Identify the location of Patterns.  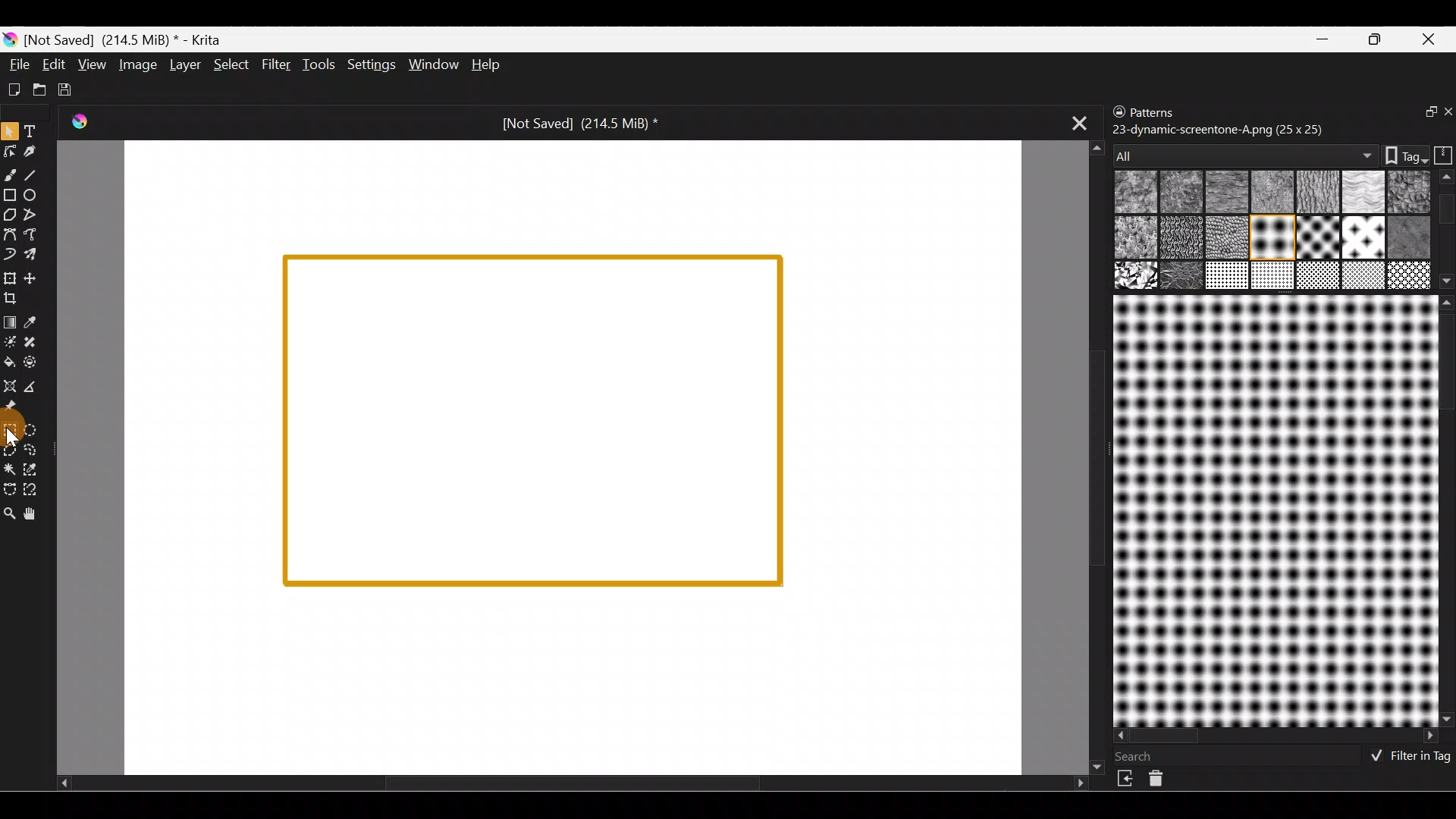
(1166, 111).